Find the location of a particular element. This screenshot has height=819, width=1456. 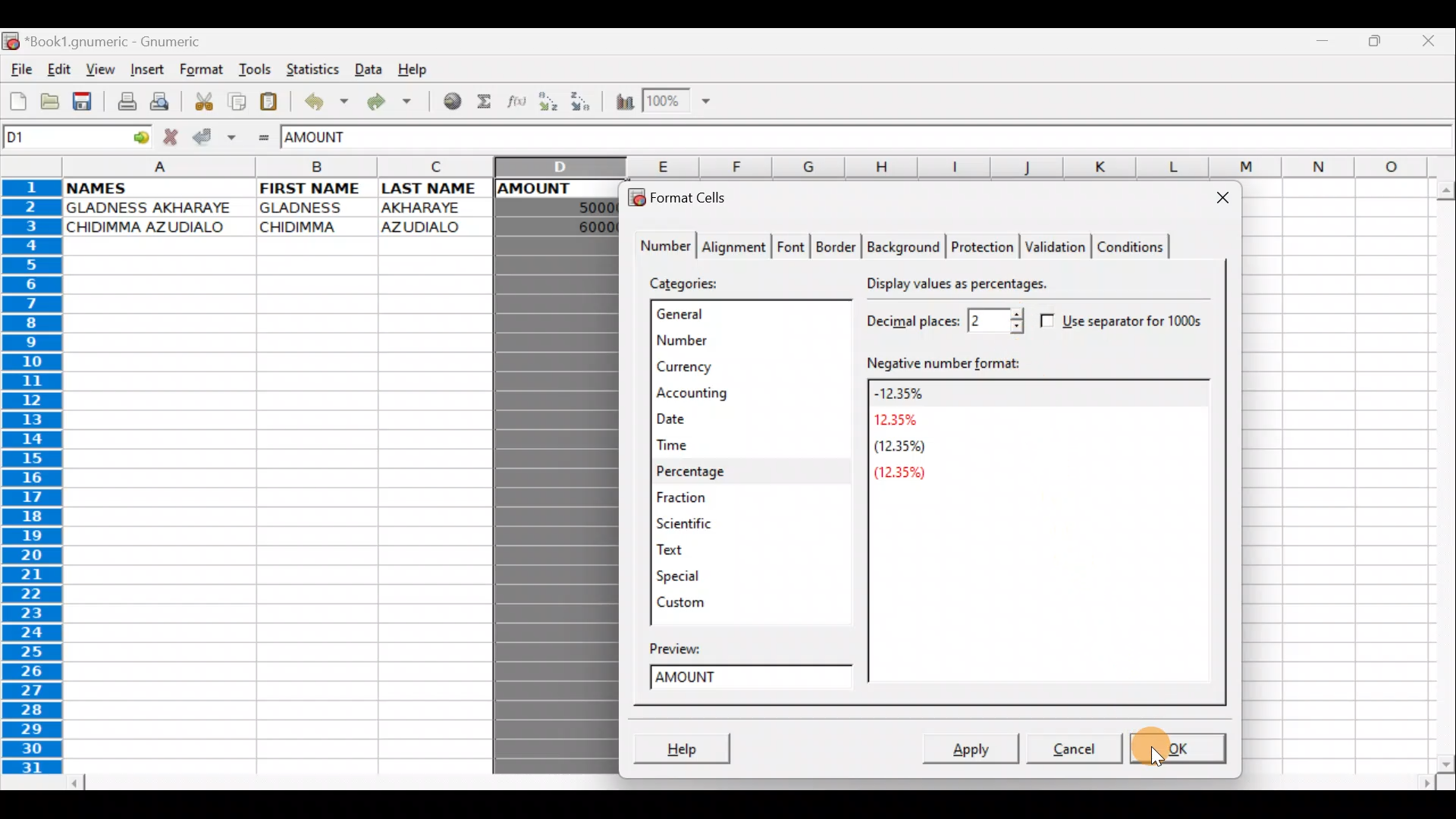

Validation is located at coordinates (1057, 248).